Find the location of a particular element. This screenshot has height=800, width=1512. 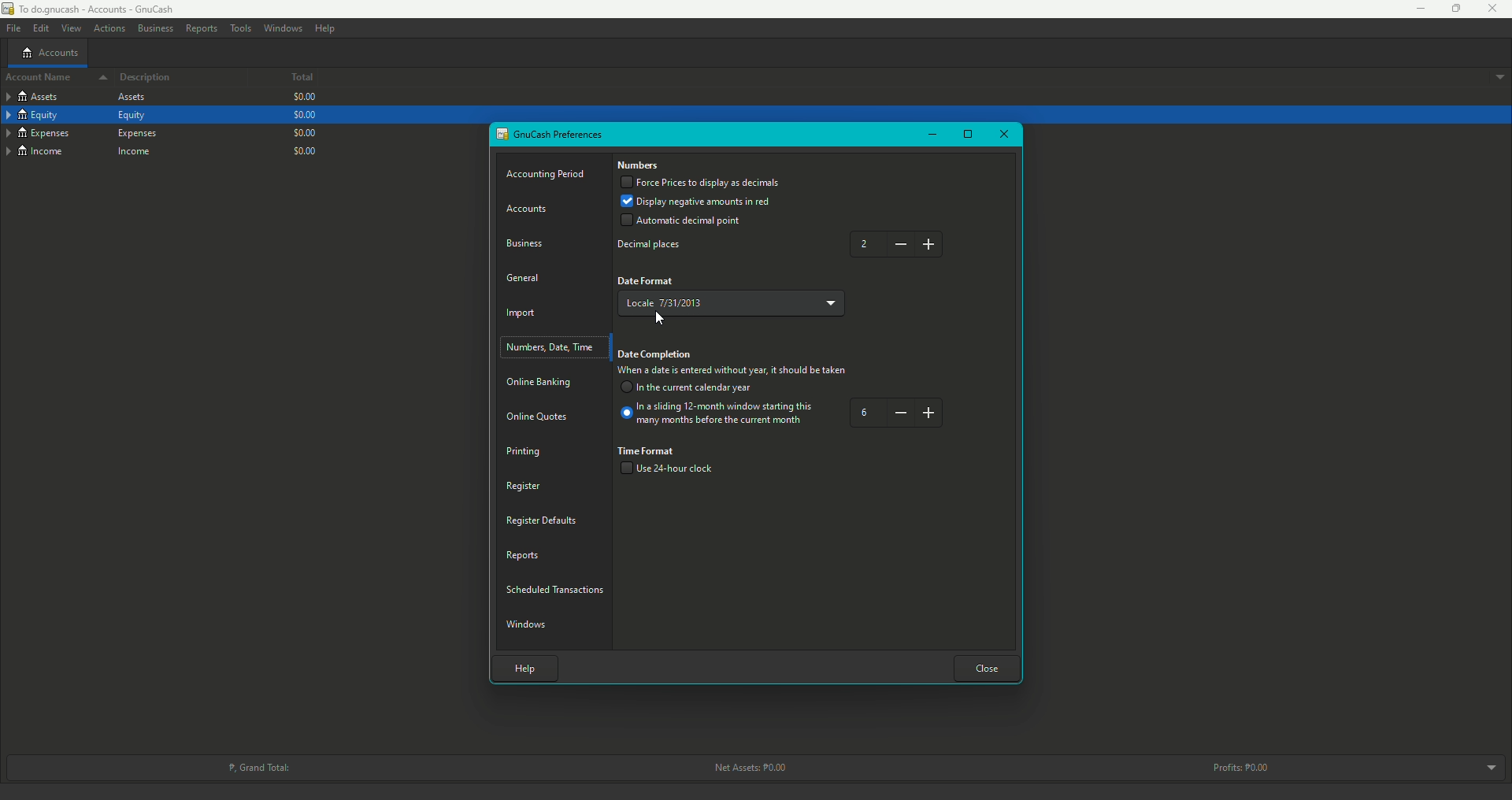

Automatic decimal points is located at coordinates (681, 222).